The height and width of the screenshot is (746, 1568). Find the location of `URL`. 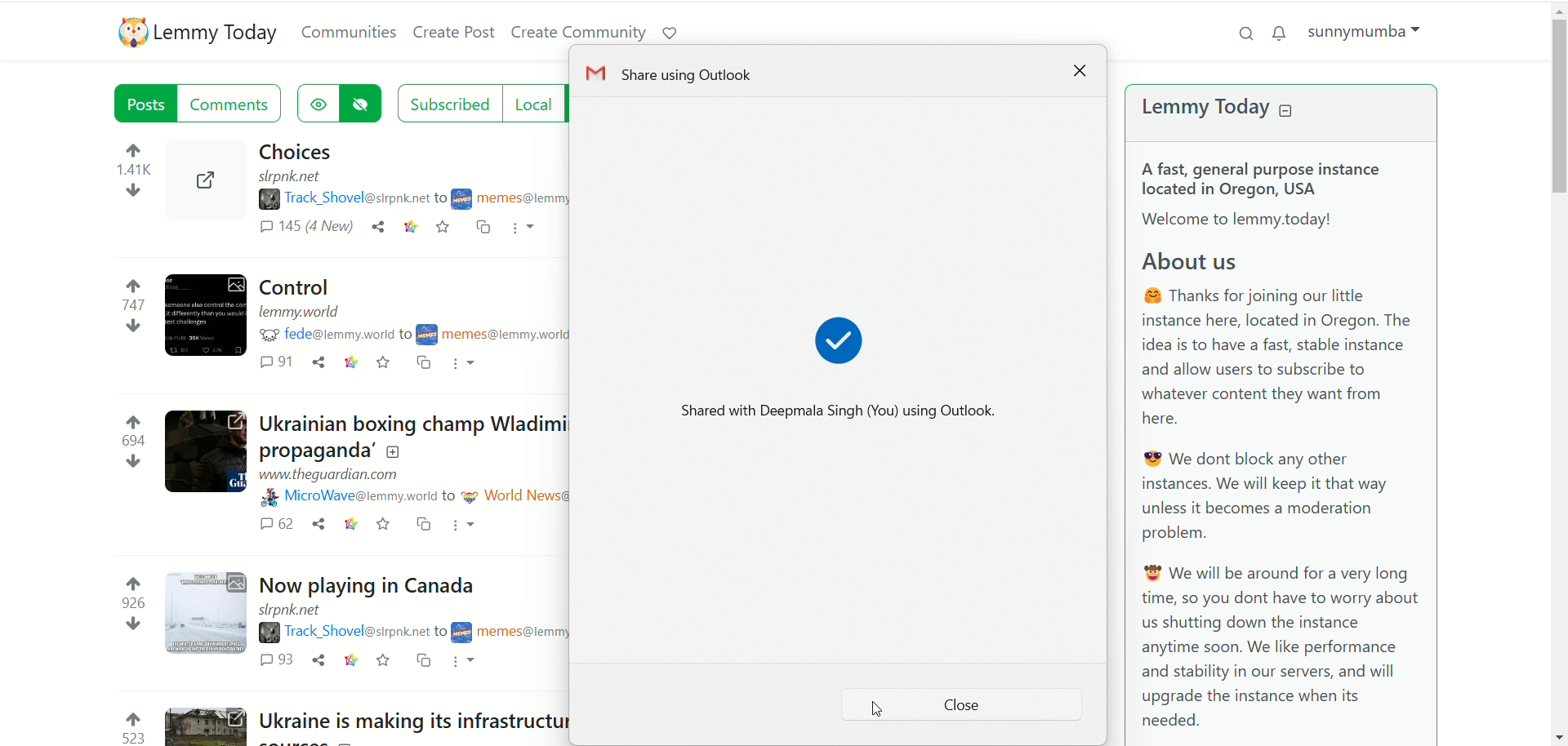

URL is located at coordinates (292, 175).